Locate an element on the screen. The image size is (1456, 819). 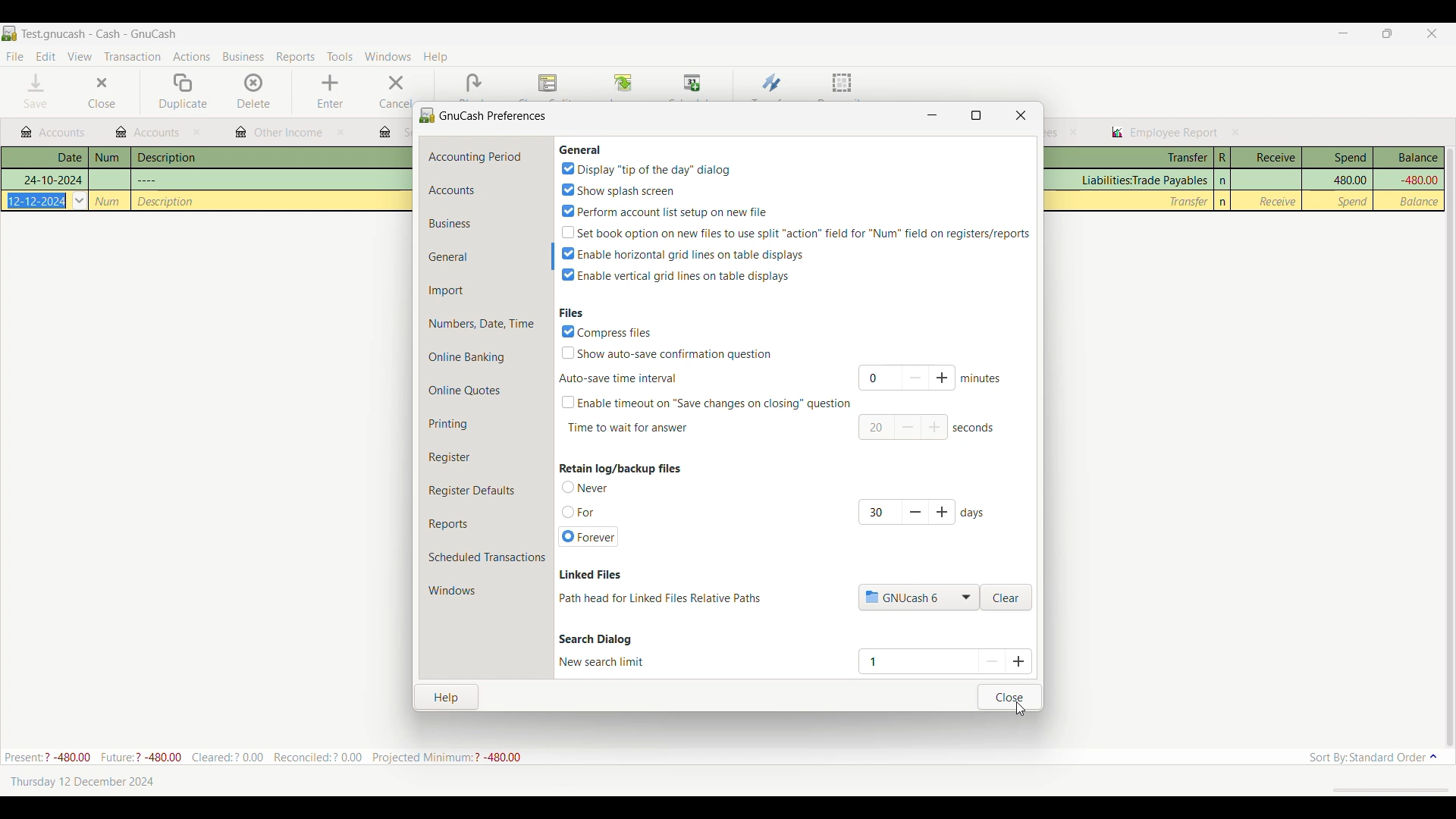
Actions menu is located at coordinates (192, 56).